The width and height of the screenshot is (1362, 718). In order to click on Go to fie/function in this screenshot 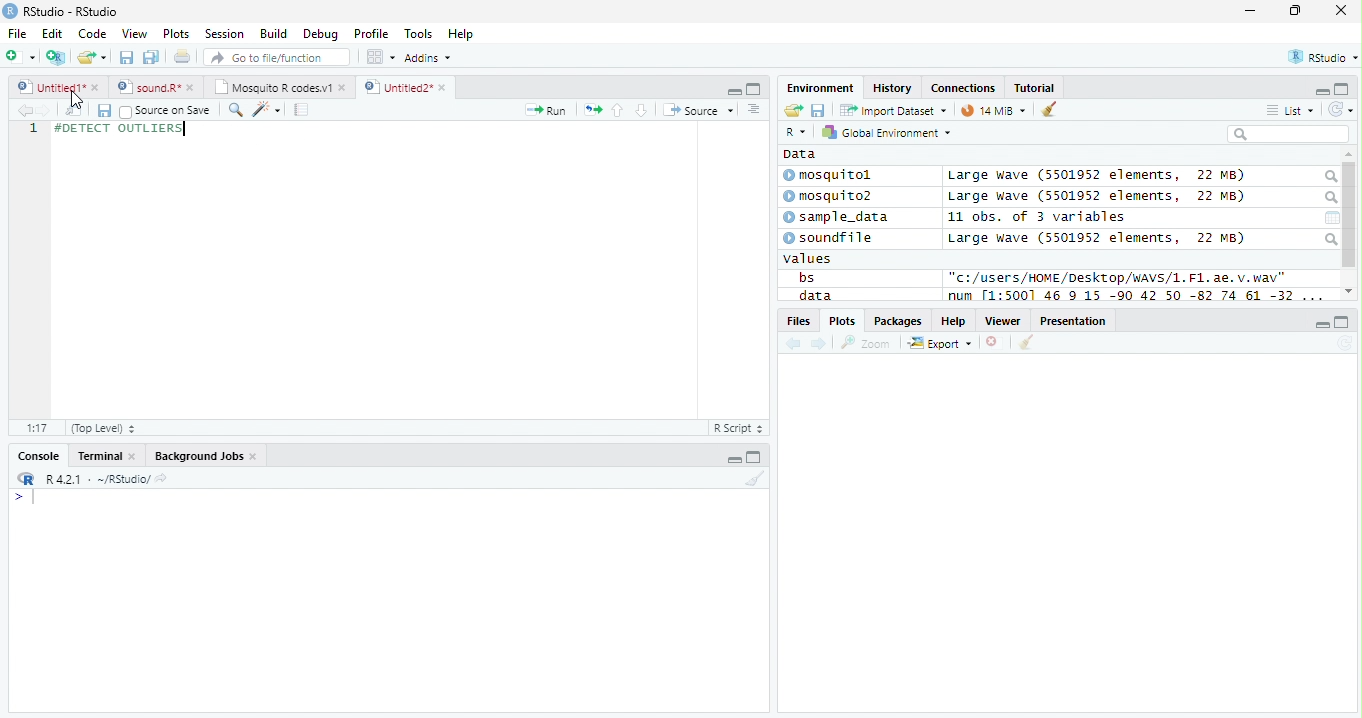, I will do `click(277, 57)`.